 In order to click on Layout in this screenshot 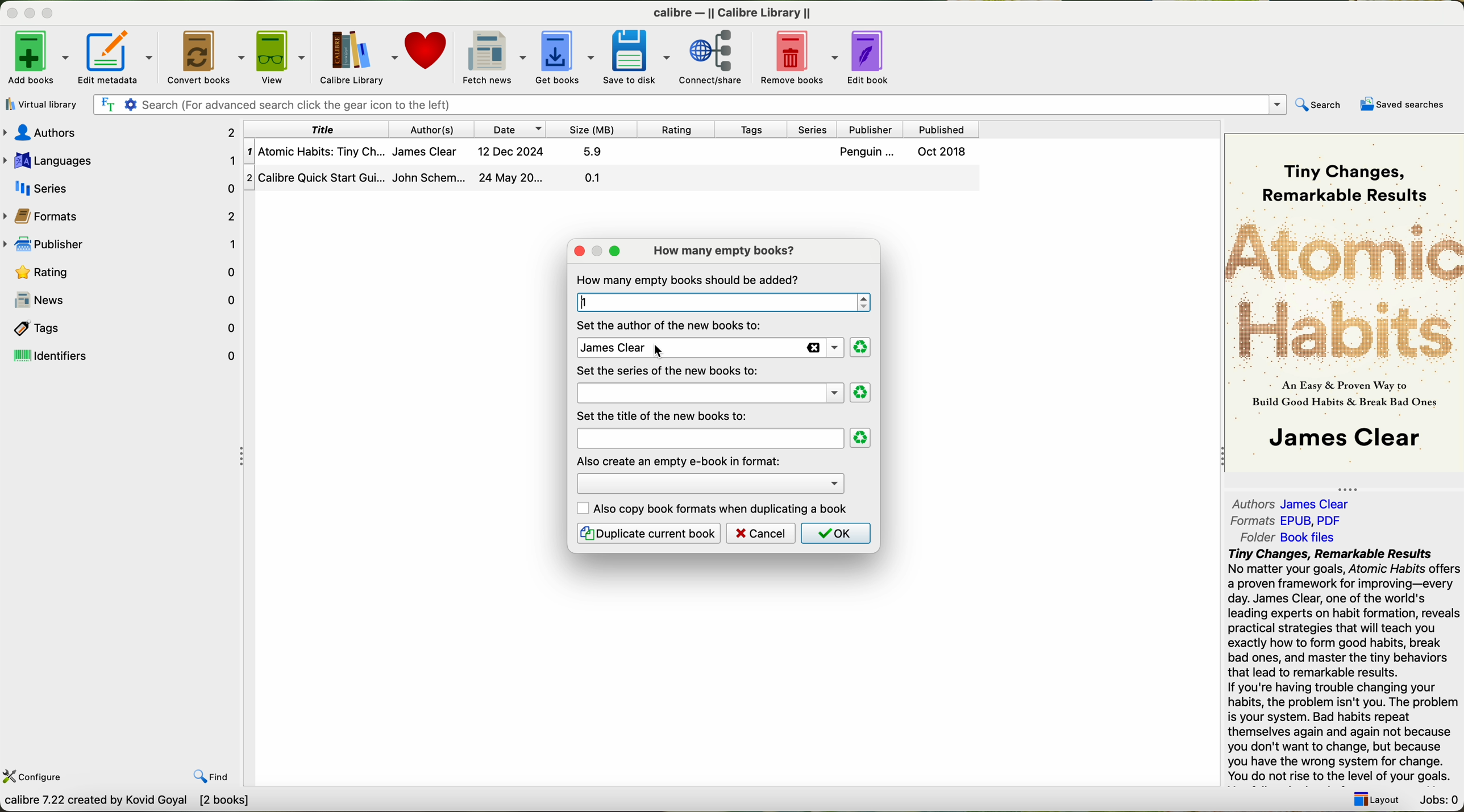, I will do `click(1376, 800)`.